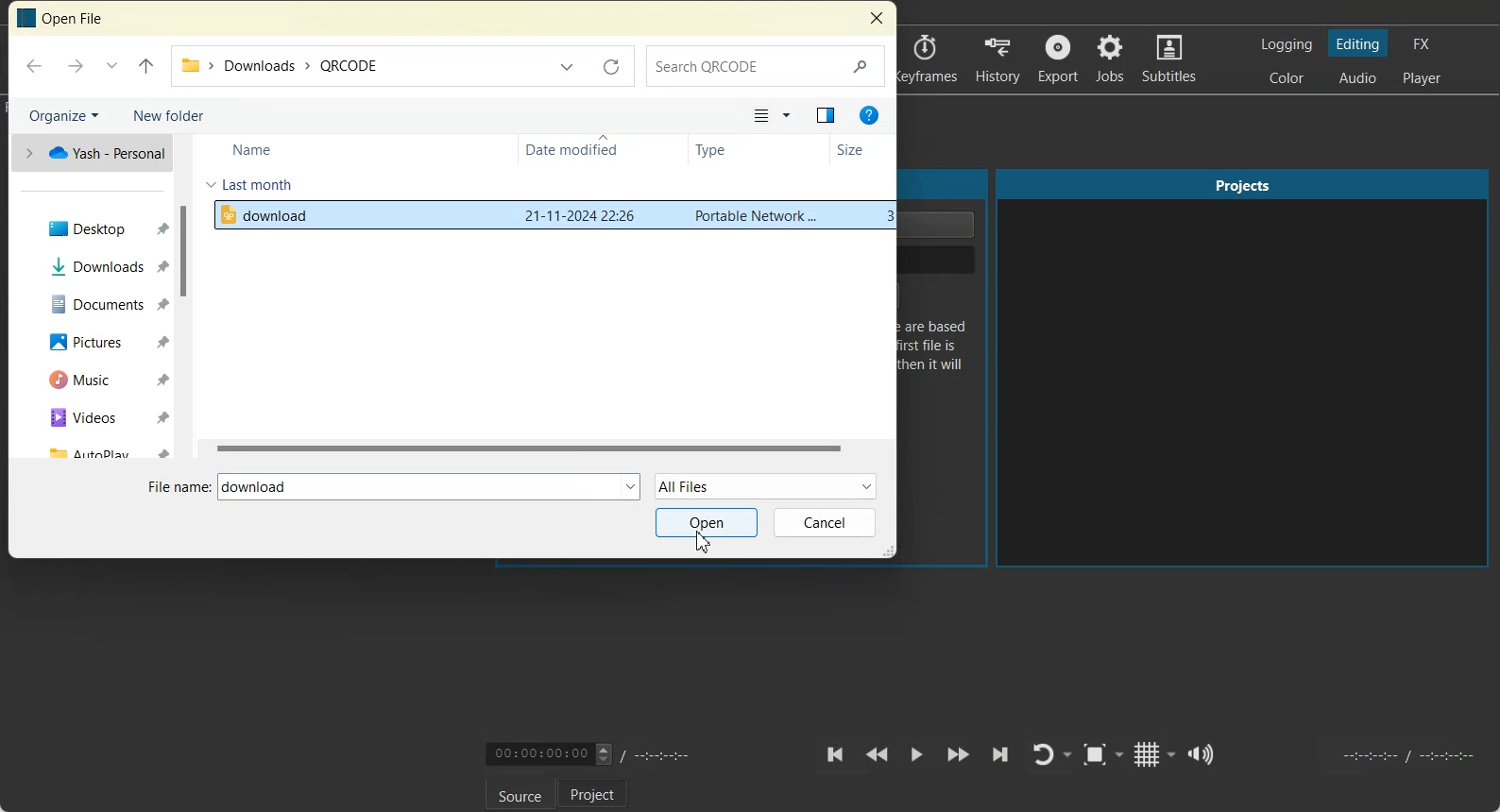 This screenshot has width=1500, height=812. I want to click on Music, so click(100, 379).